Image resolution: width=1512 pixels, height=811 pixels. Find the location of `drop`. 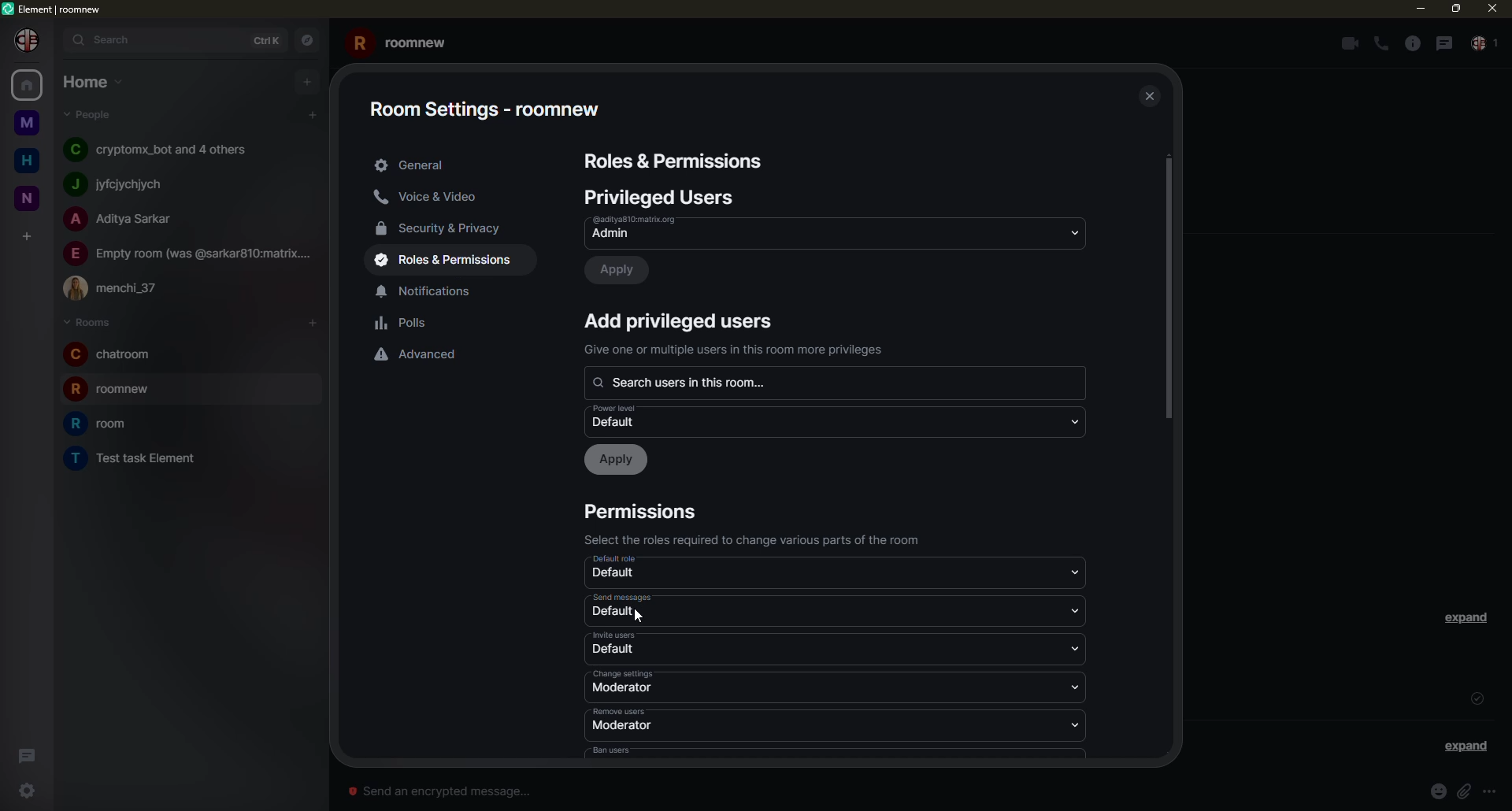

drop is located at coordinates (1078, 723).